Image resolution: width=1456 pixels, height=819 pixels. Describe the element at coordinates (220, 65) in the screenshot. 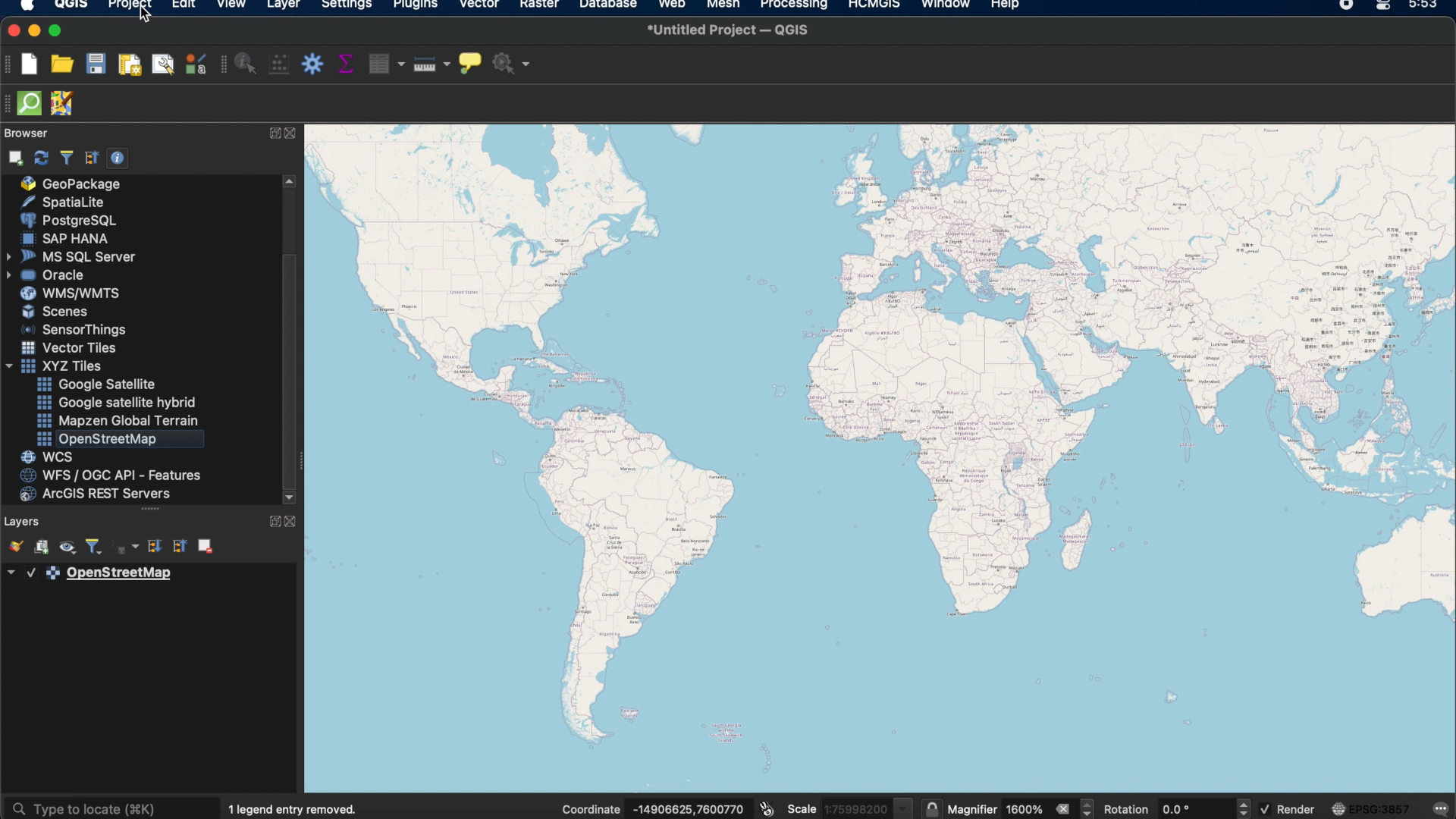

I see `attributes toolbar` at that location.